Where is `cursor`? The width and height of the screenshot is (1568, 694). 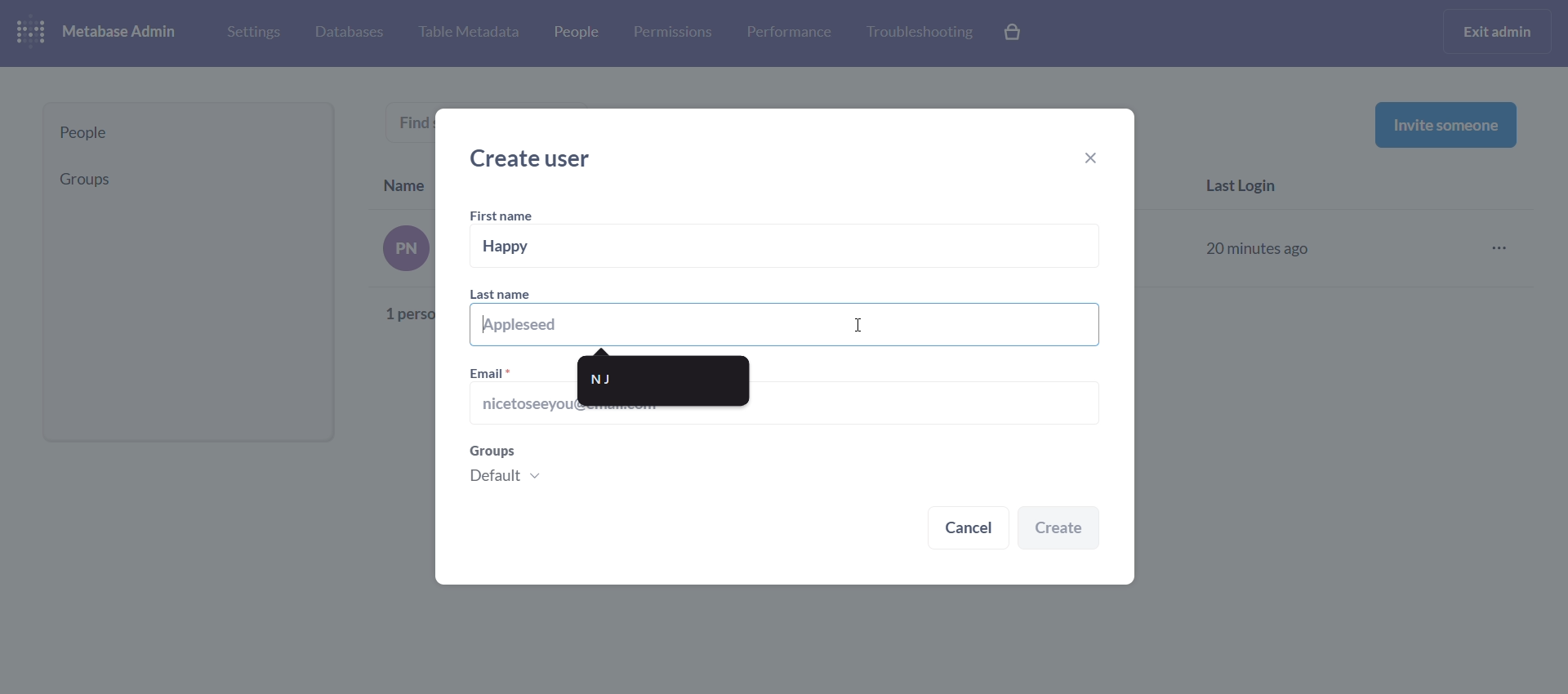
cursor is located at coordinates (859, 321).